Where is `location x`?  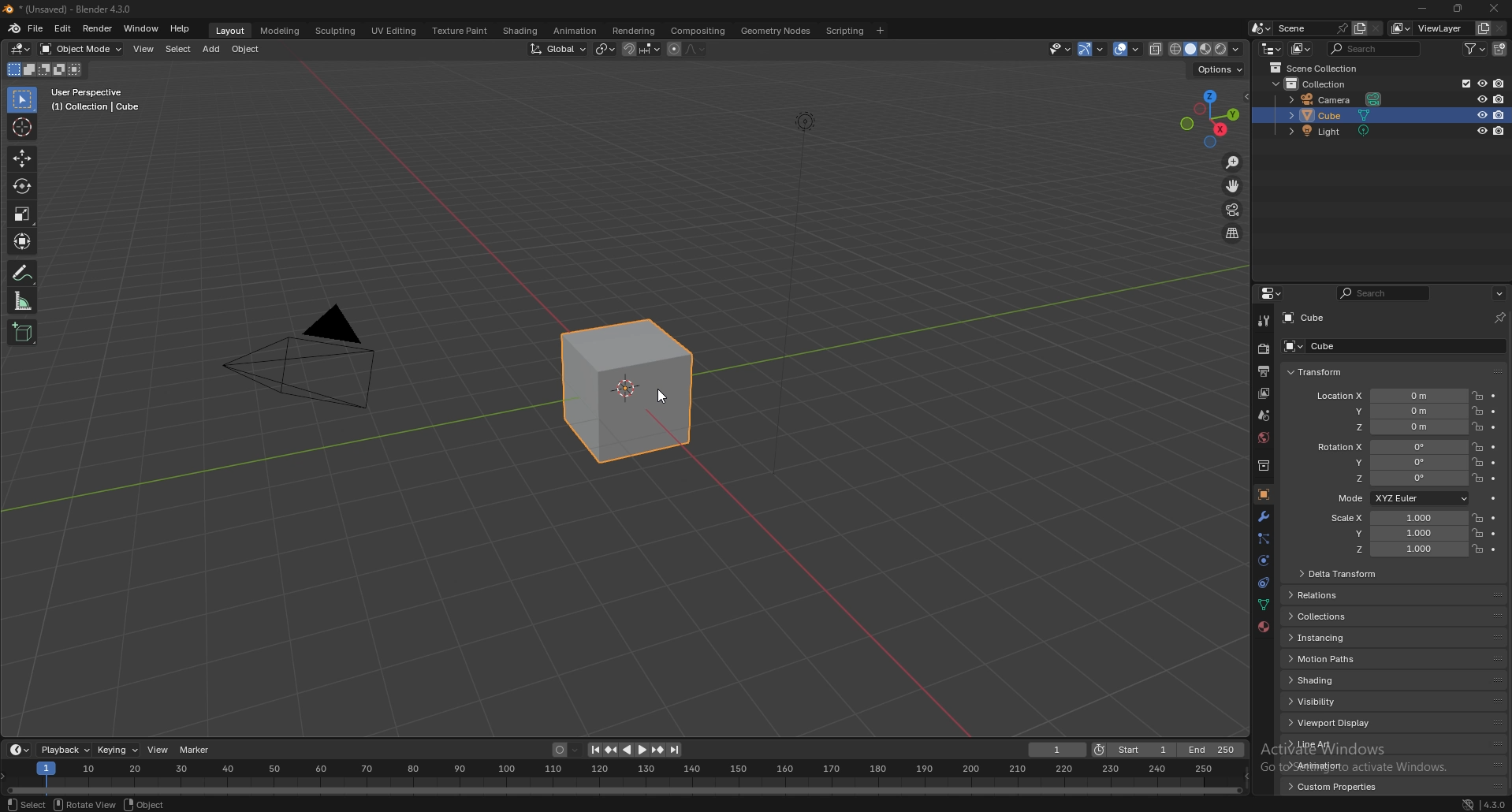
location x is located at coordinates (1389, 397).